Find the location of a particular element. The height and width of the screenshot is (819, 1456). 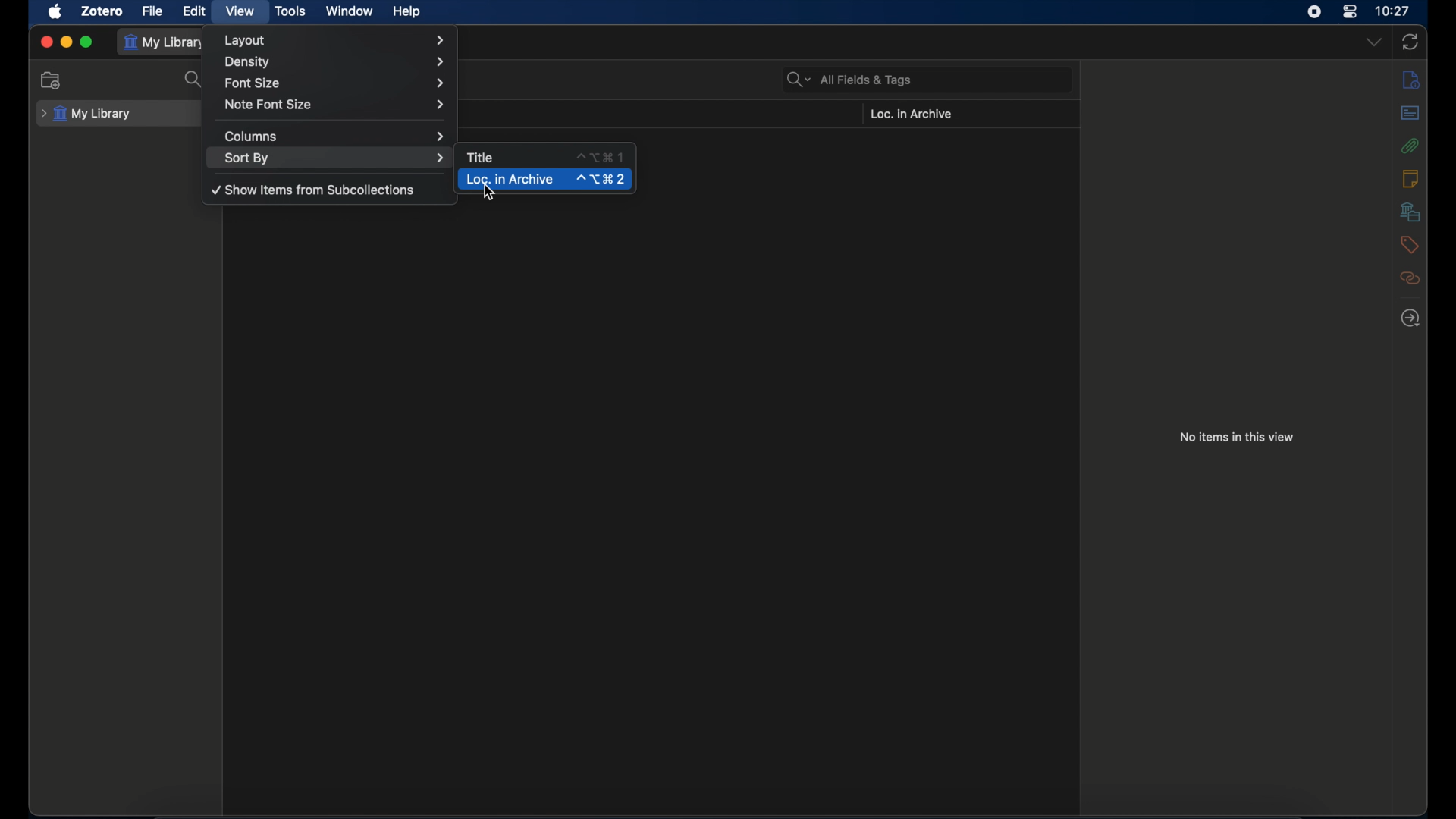

shortcut is located at coordinates (601, 157).